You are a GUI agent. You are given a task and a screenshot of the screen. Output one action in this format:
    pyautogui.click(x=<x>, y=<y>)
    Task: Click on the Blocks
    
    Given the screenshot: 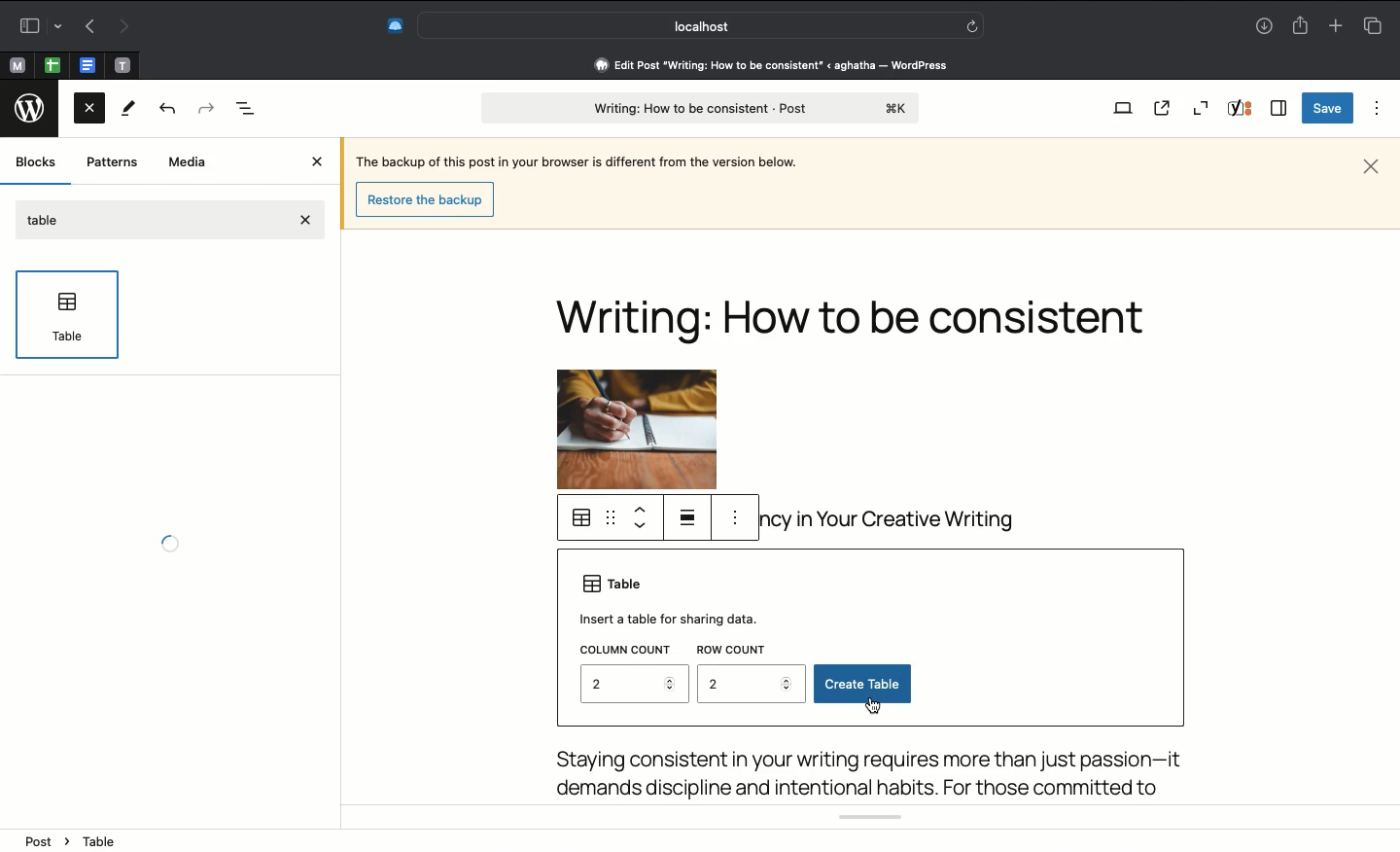 What is the action you would take?
    pyautogui.click(x=37, y=161)
    